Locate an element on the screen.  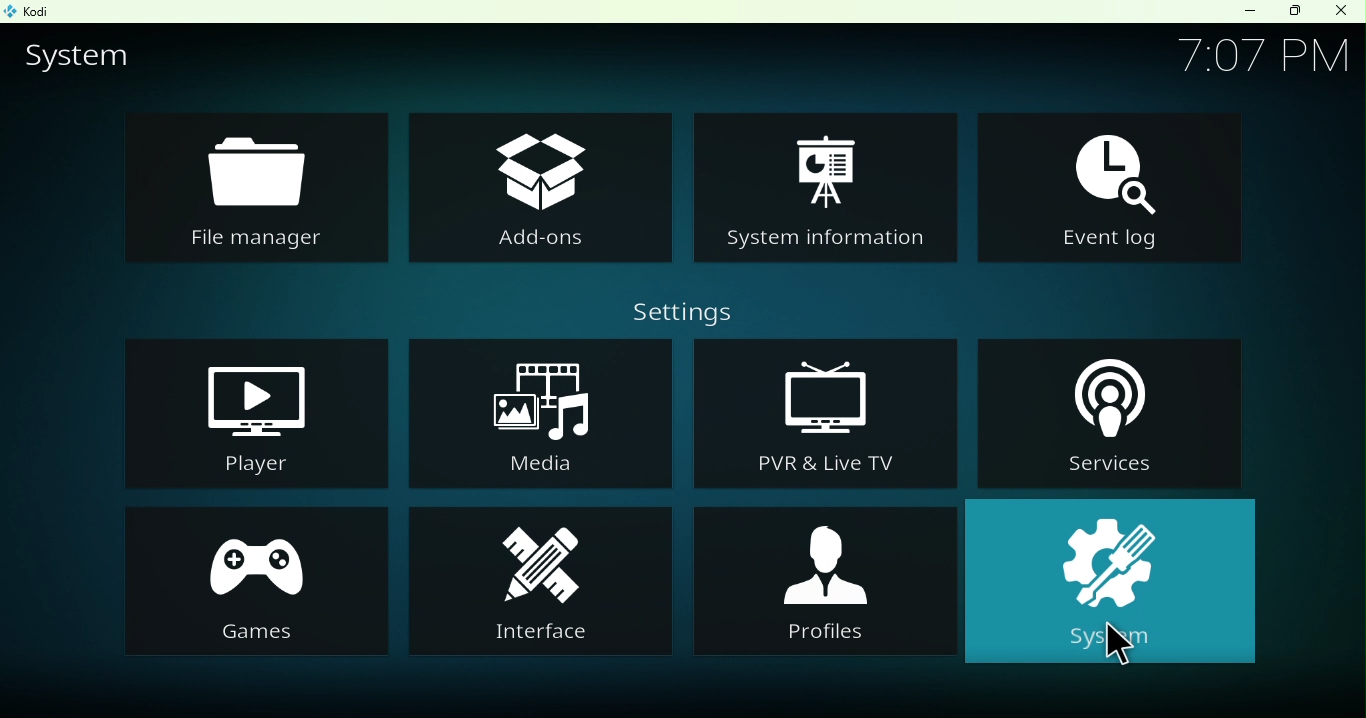
crusor is located at coordinates (1118, 647).